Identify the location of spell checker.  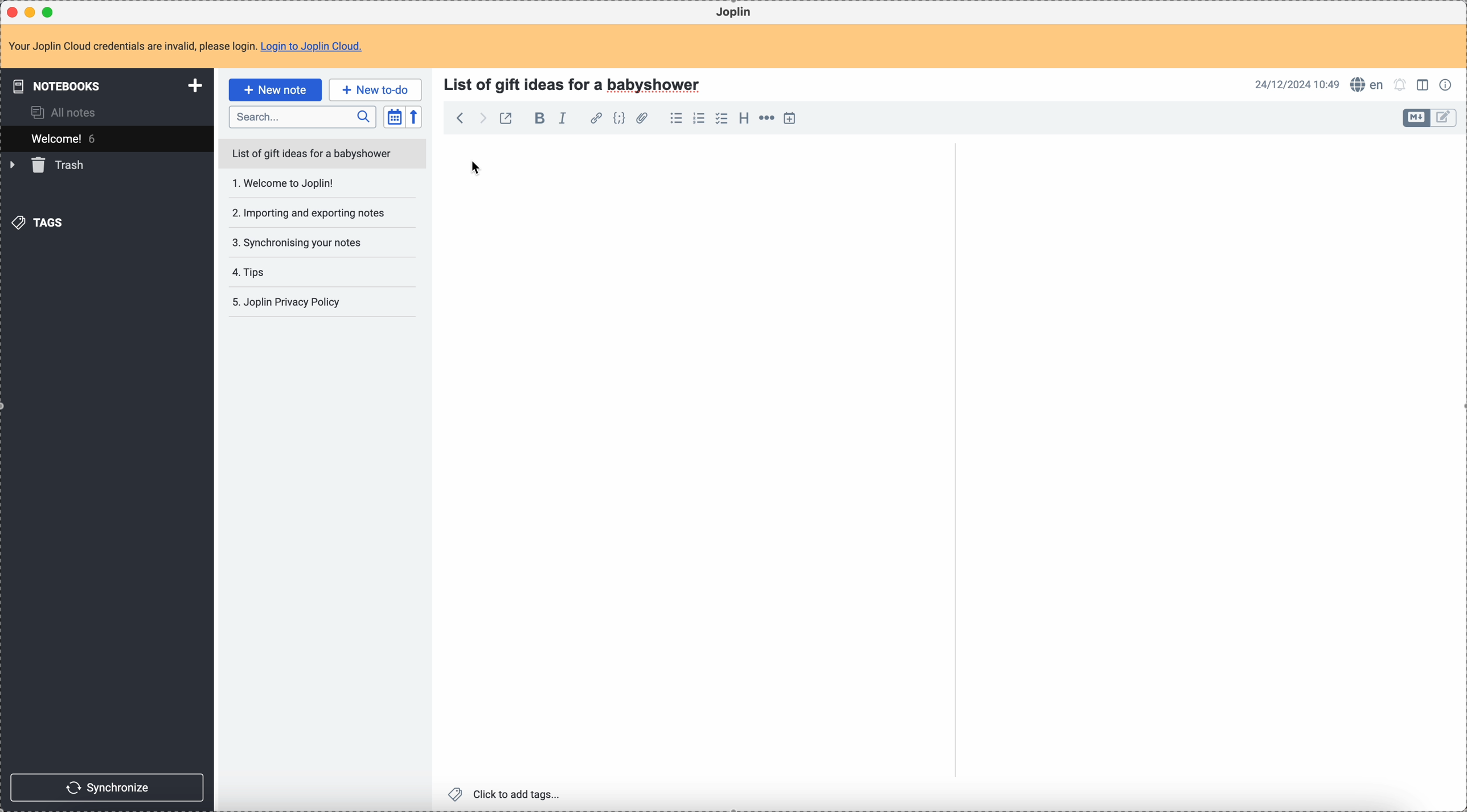
(1368, 85).